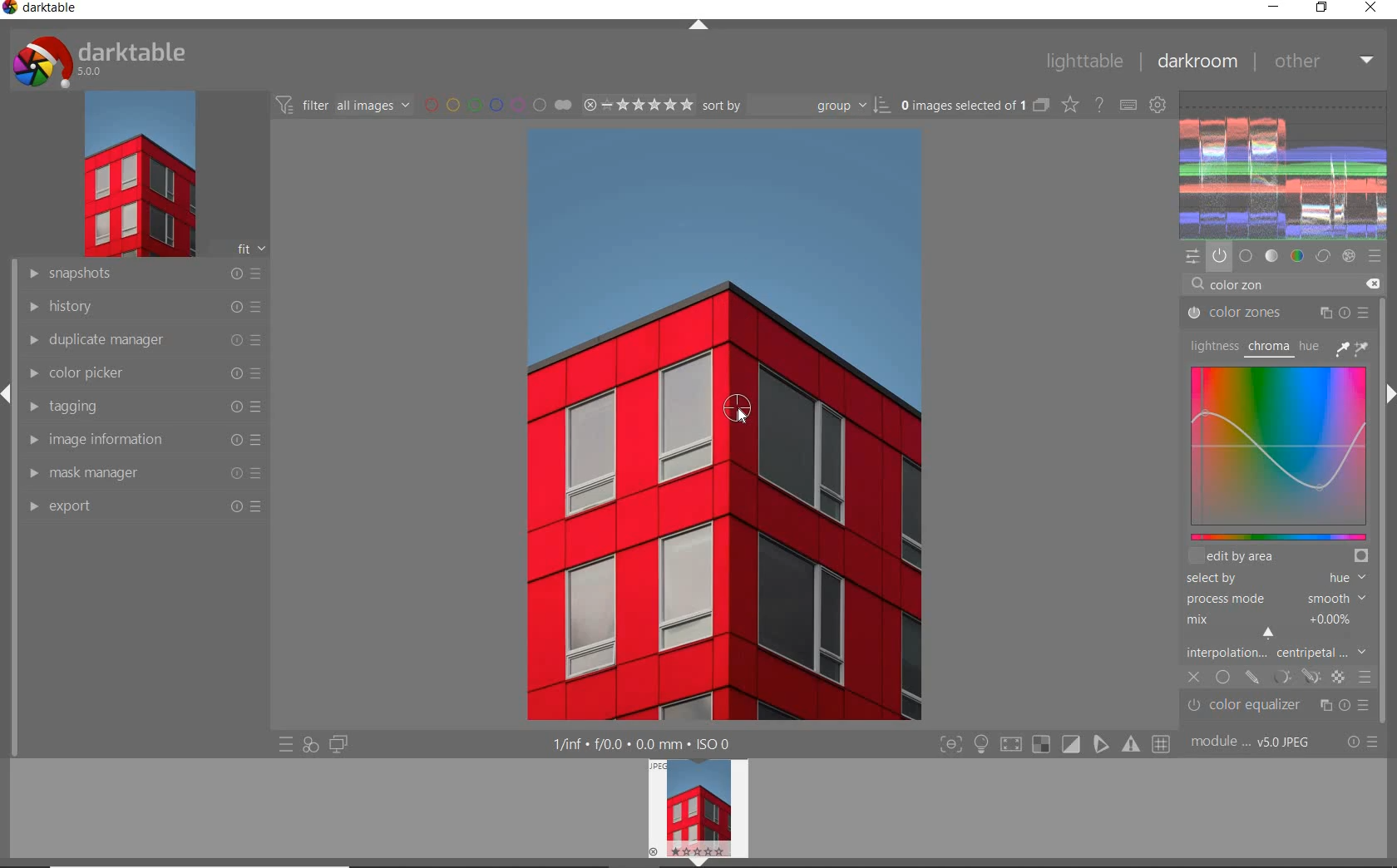 The height and width of the screenshot is (868, 1397). I want to click on focus mask, so click(1128, 745).